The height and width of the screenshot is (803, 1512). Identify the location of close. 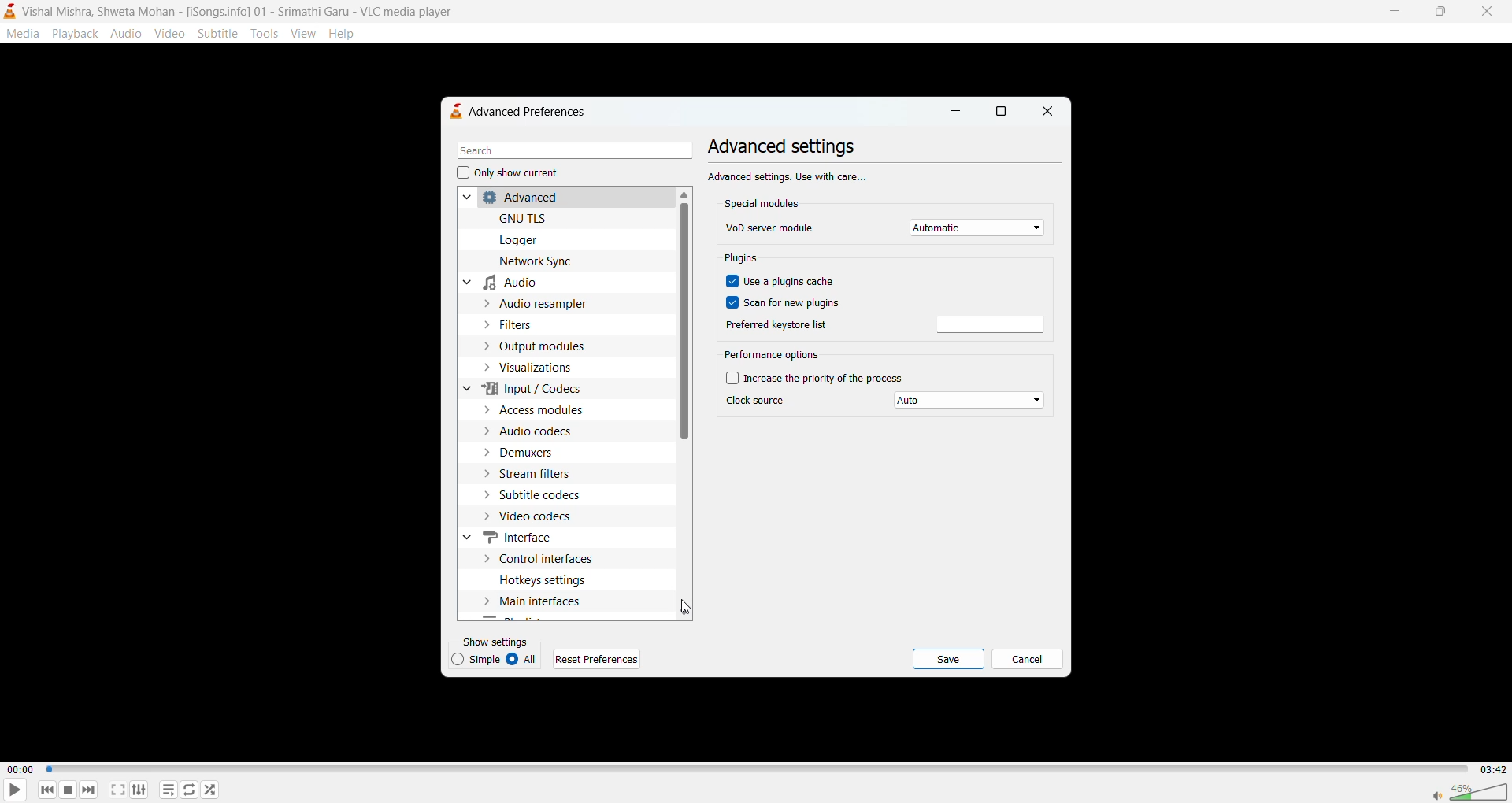
(1045, 112).